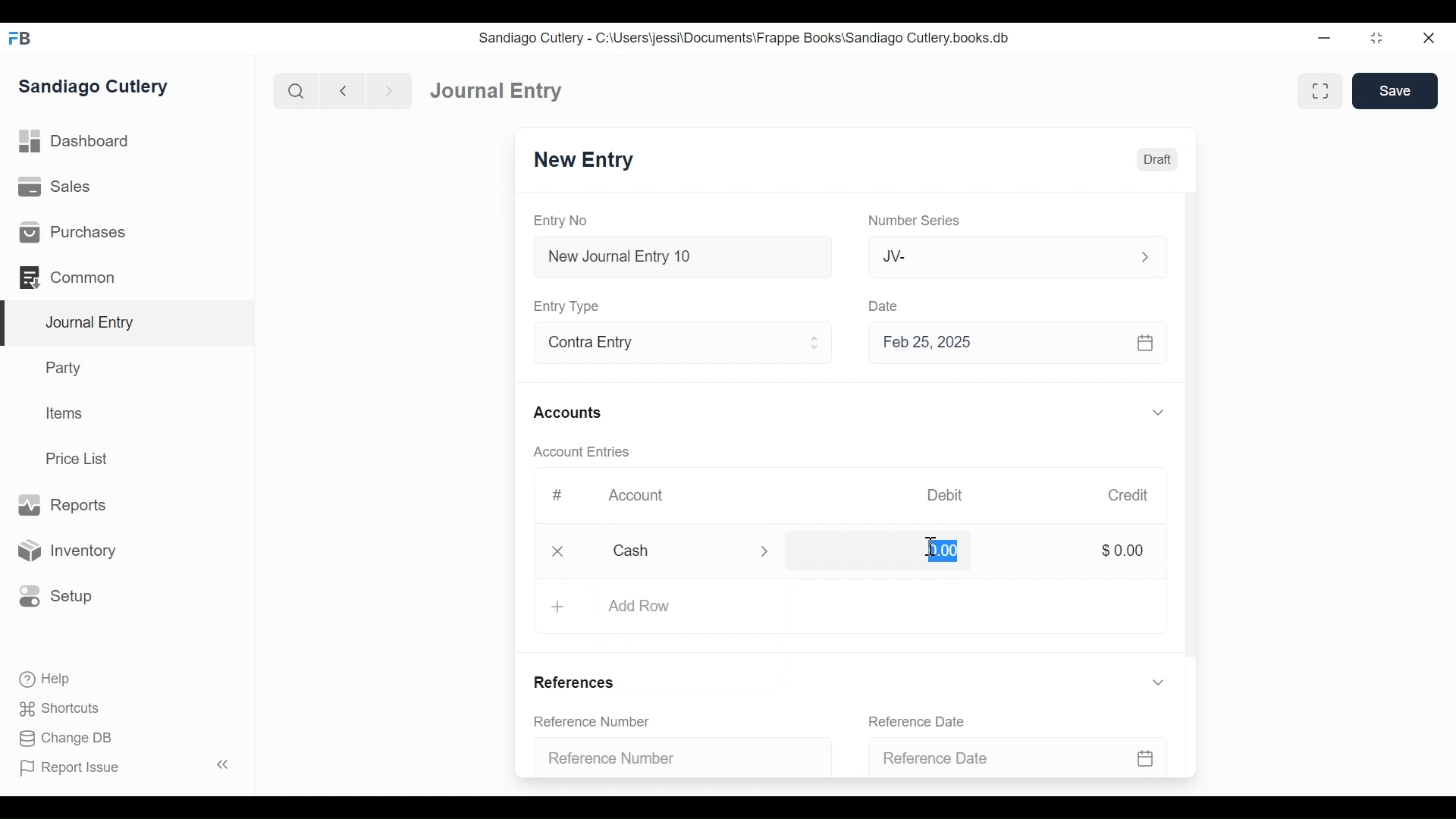 This screenshot has height=819, width=1456. What do you see at coordinates (42, 677) in the screenshot?
I see `Help` at bounding box center [42, 677].